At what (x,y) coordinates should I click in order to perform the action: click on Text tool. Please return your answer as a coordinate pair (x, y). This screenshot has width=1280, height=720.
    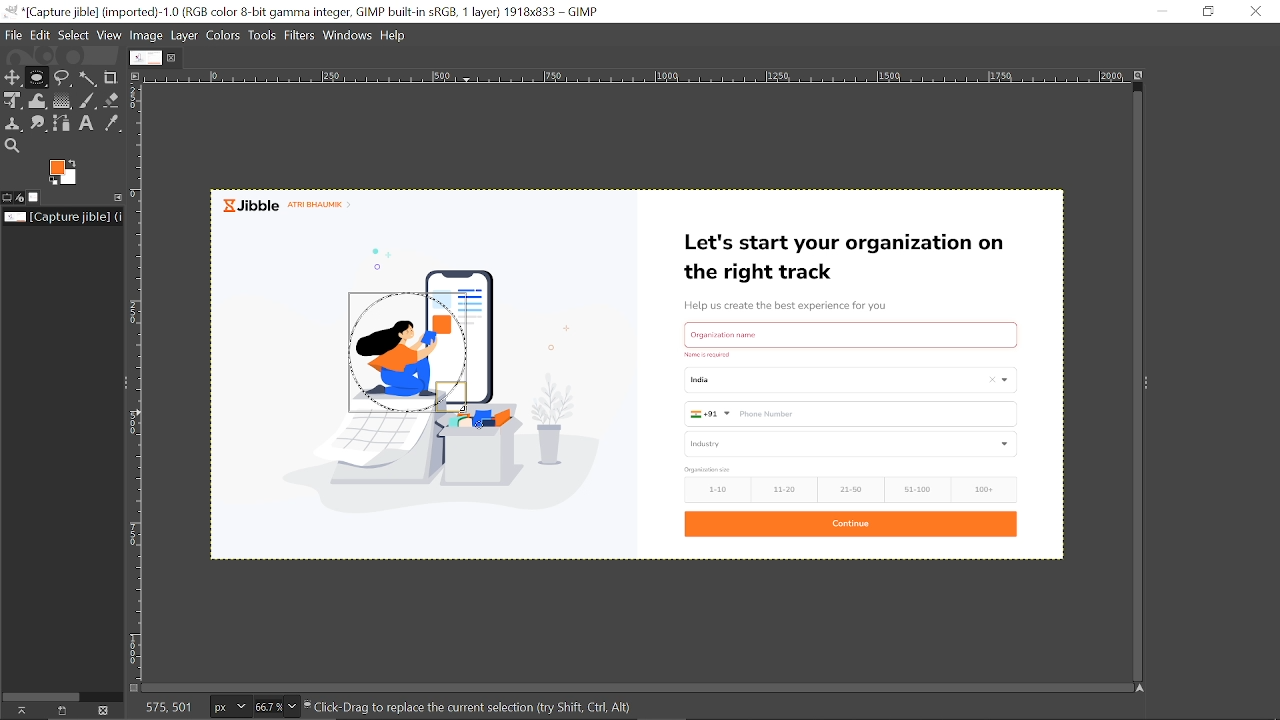
    Looking at the image, I should click on (87, 123).